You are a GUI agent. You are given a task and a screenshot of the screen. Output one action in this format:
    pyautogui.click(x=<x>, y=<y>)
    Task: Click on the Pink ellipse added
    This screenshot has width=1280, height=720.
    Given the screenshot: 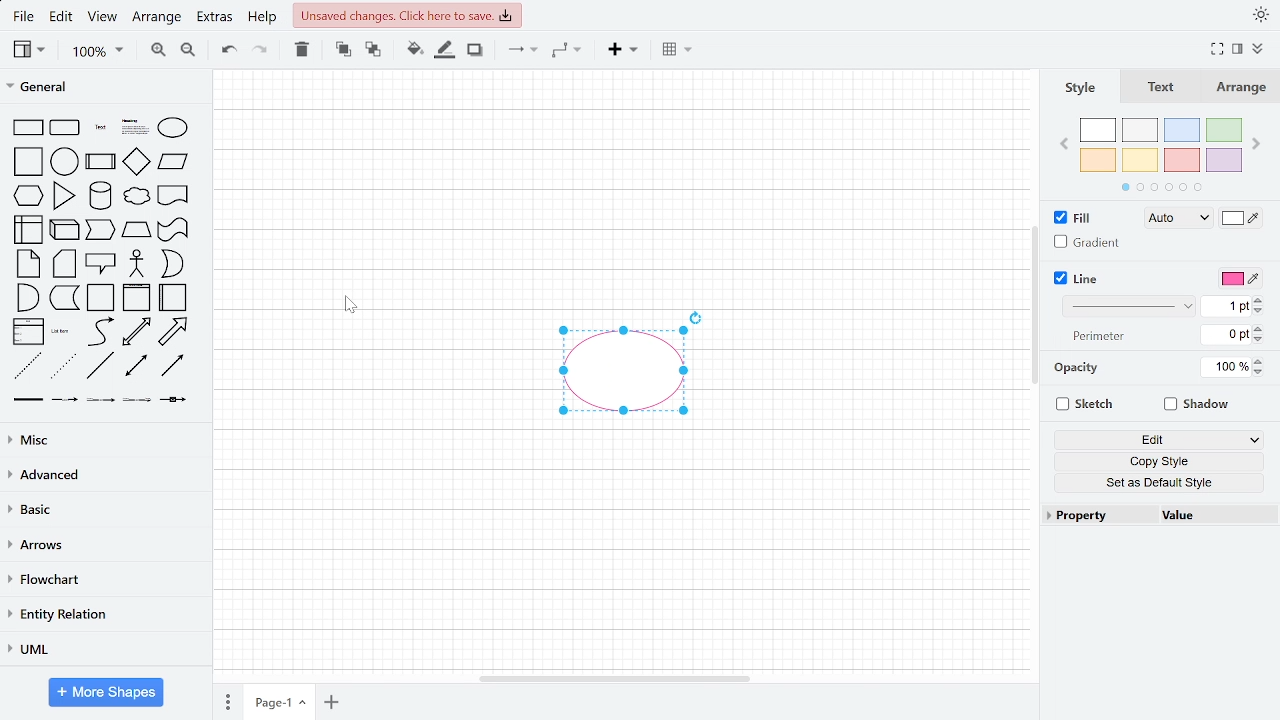 What is the action you would take?
    pyautogui.click(x=621, y=373)
    